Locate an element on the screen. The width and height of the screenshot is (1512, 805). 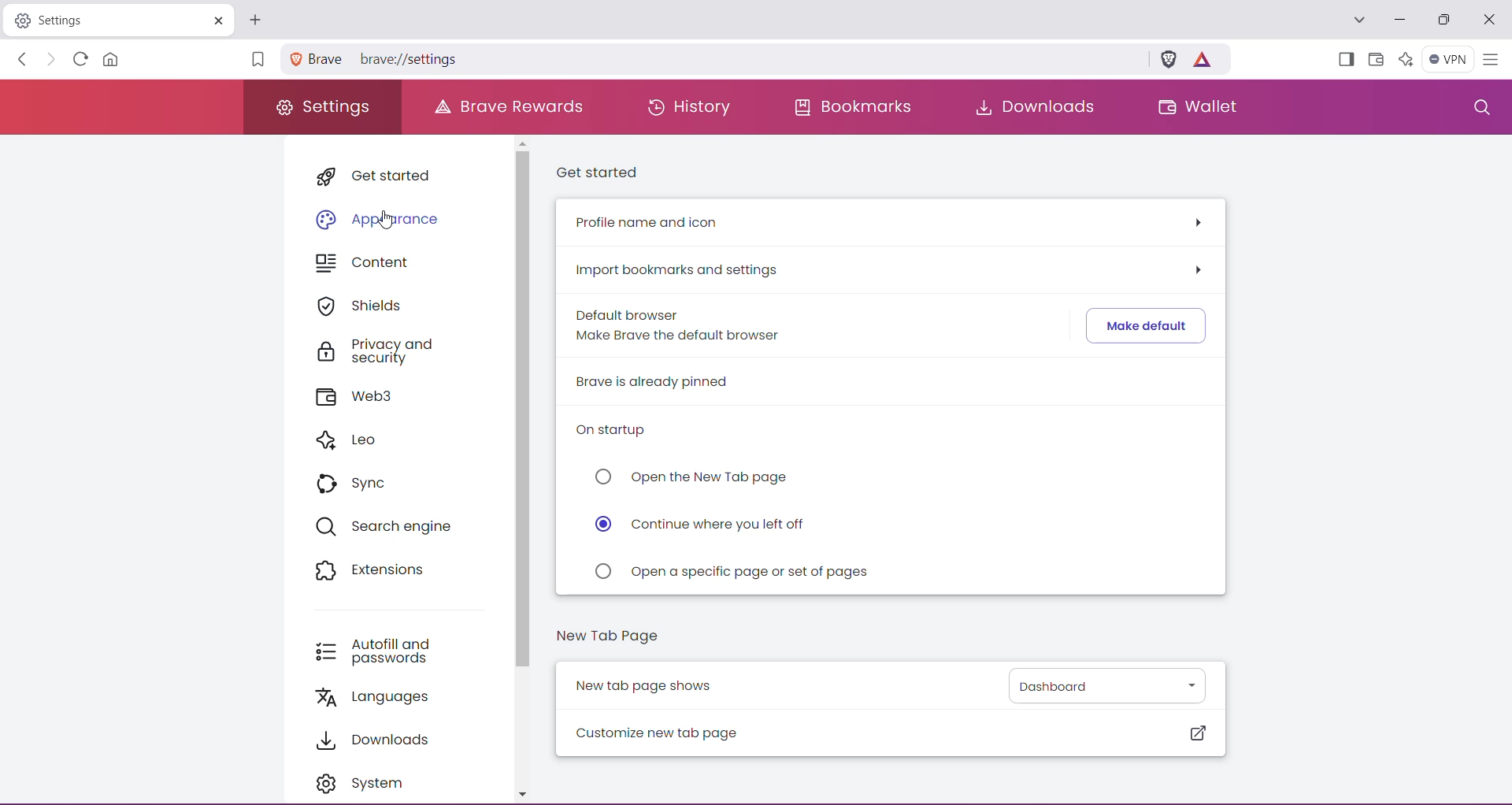
Search engine is located at coordinates (382, 525).